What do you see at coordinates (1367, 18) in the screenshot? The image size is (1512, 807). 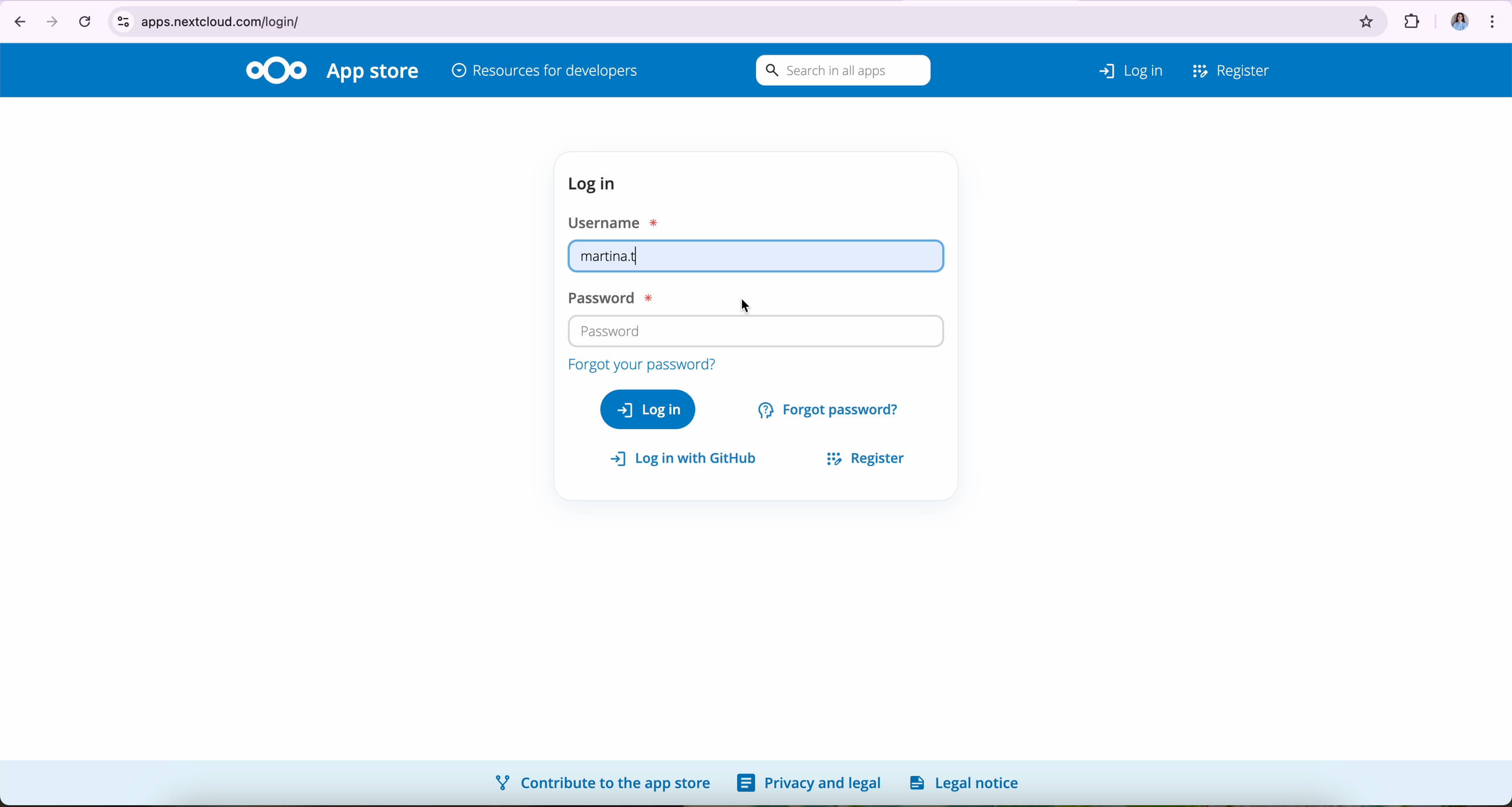 I see `favorites` at bounding box center [1367, 18].